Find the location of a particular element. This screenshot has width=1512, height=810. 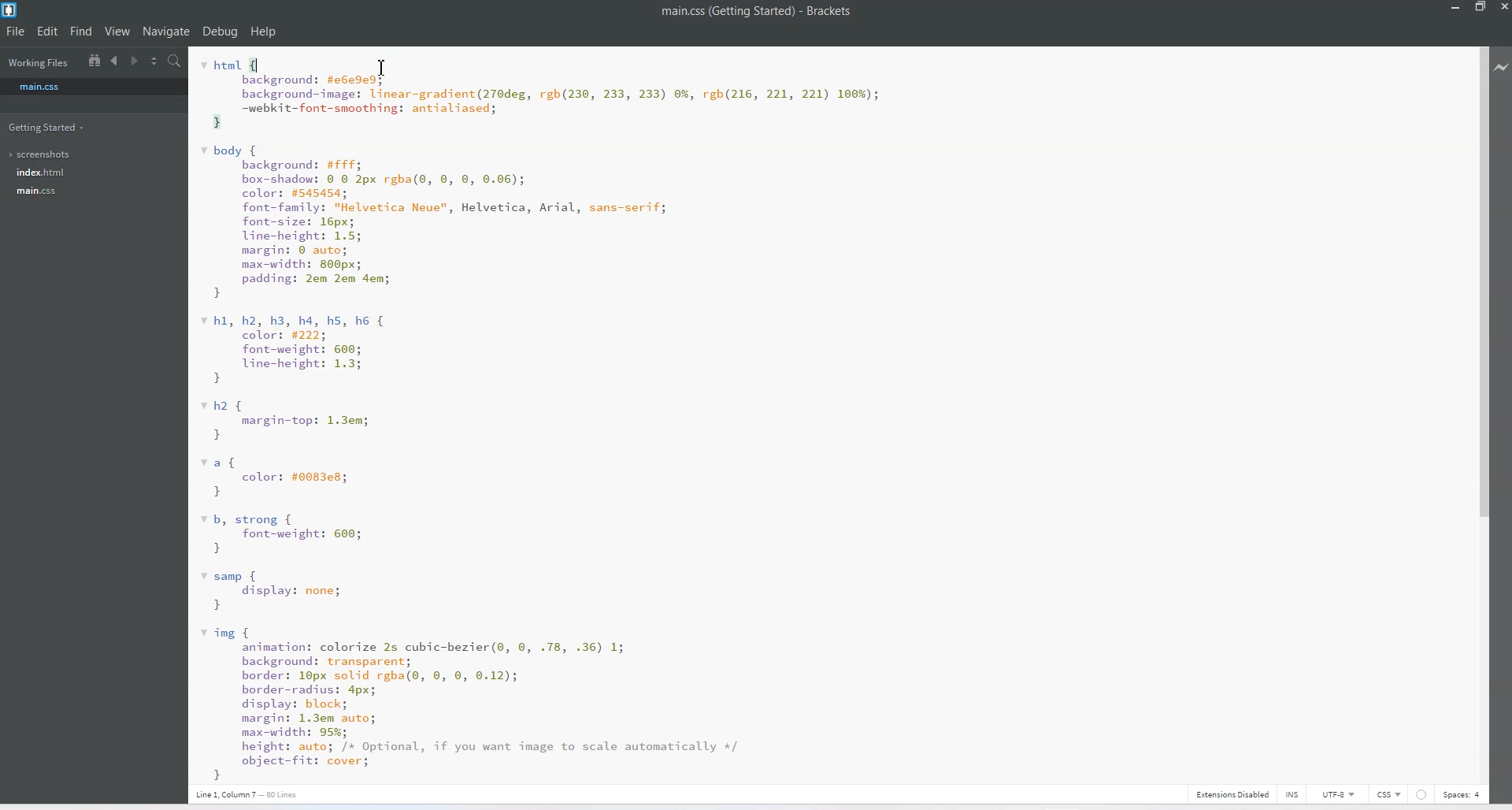

Navigate is located at coordinates (167, 32).